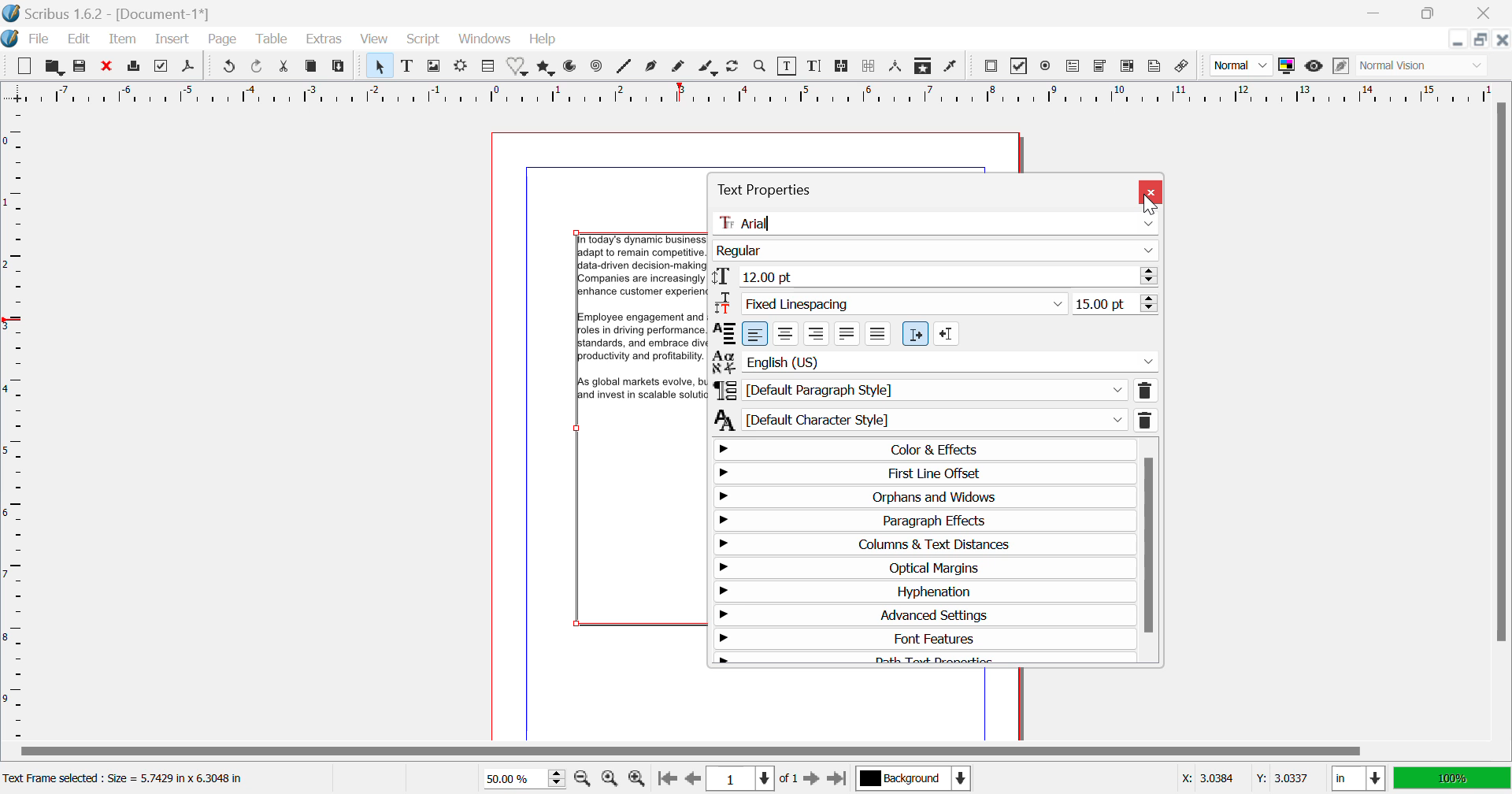 Image resolution: width=1512 pixels, height=794 pixels. What do you see at coordinates (108, 66) in the screenshot?
I see `Discard` at bounding box center [108, 66].